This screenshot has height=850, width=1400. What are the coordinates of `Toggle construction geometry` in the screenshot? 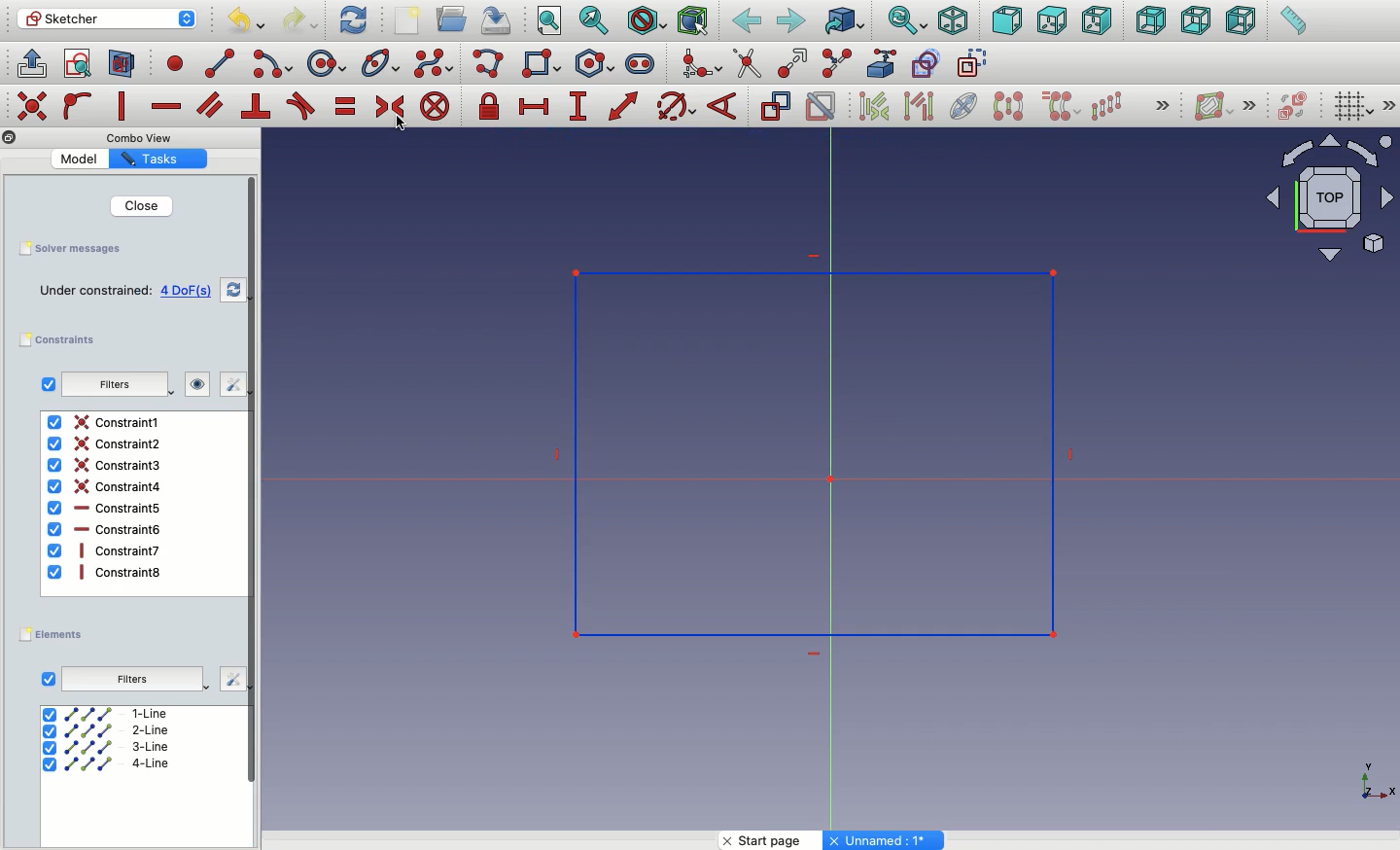 It's located at (973, 62).